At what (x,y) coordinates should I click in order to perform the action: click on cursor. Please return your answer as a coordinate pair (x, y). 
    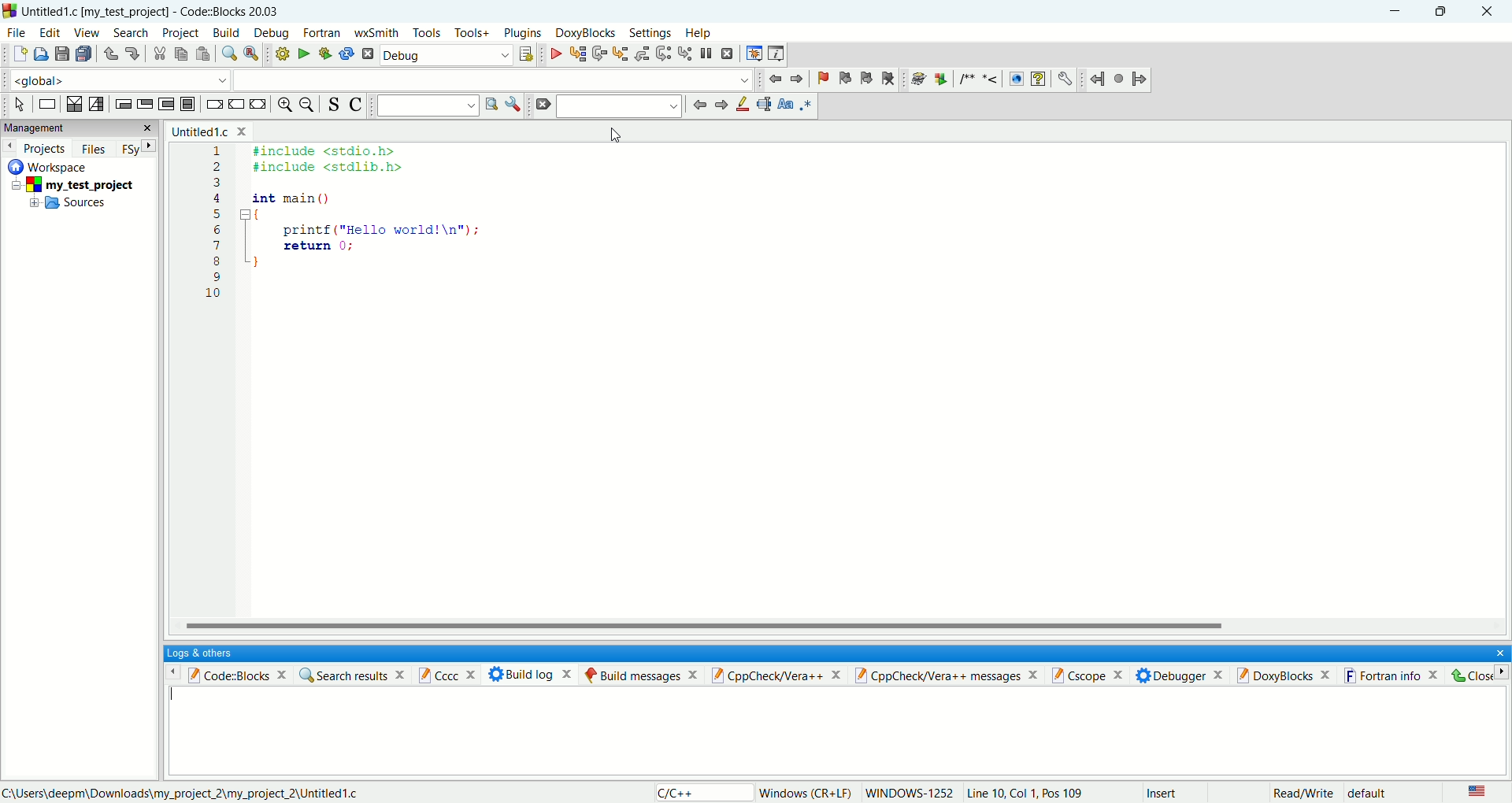
    Looking at the image, I should click on (617, 135).